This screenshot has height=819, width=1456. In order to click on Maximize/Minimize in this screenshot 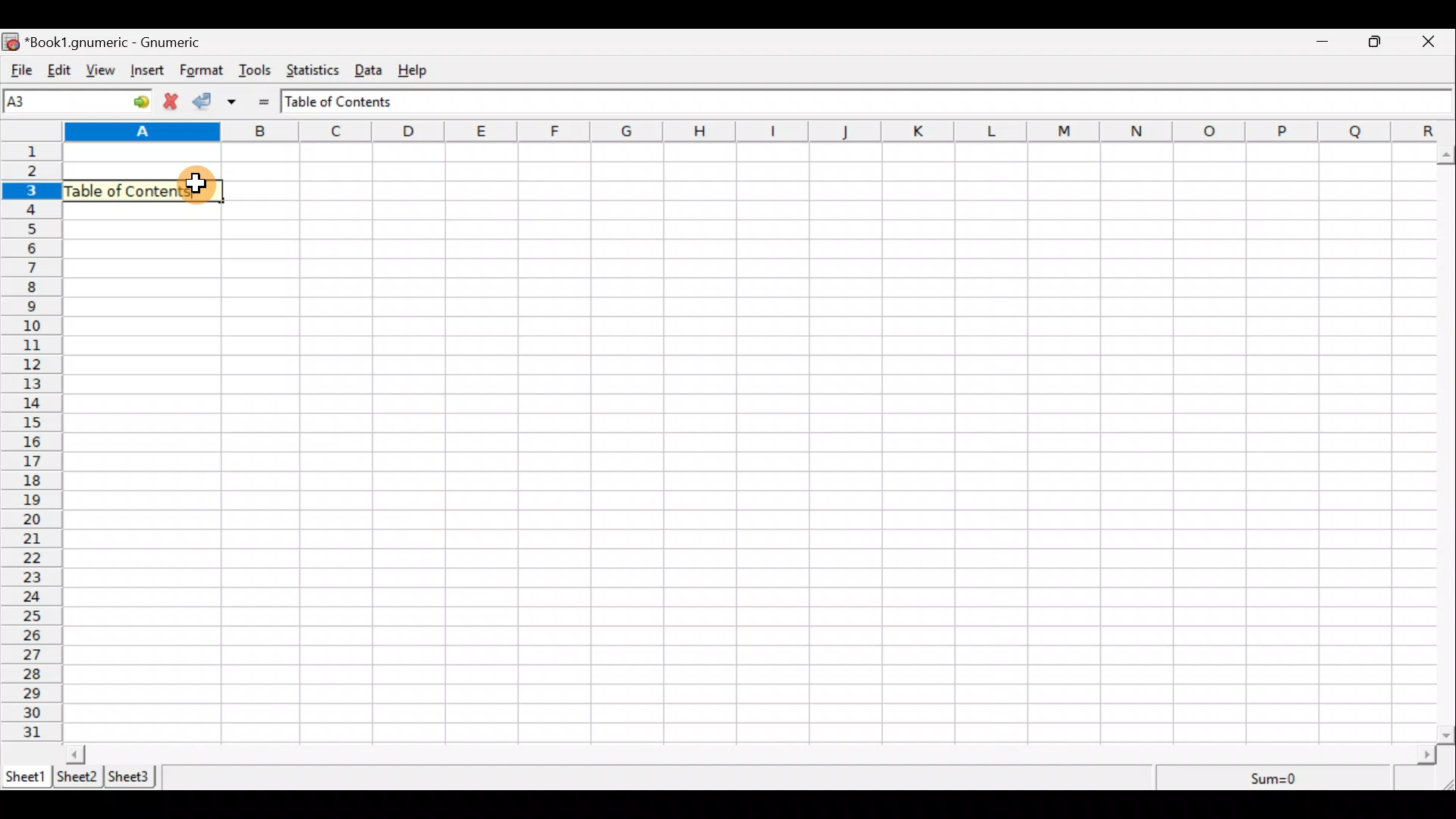, I will do `click(1379, 42)`.